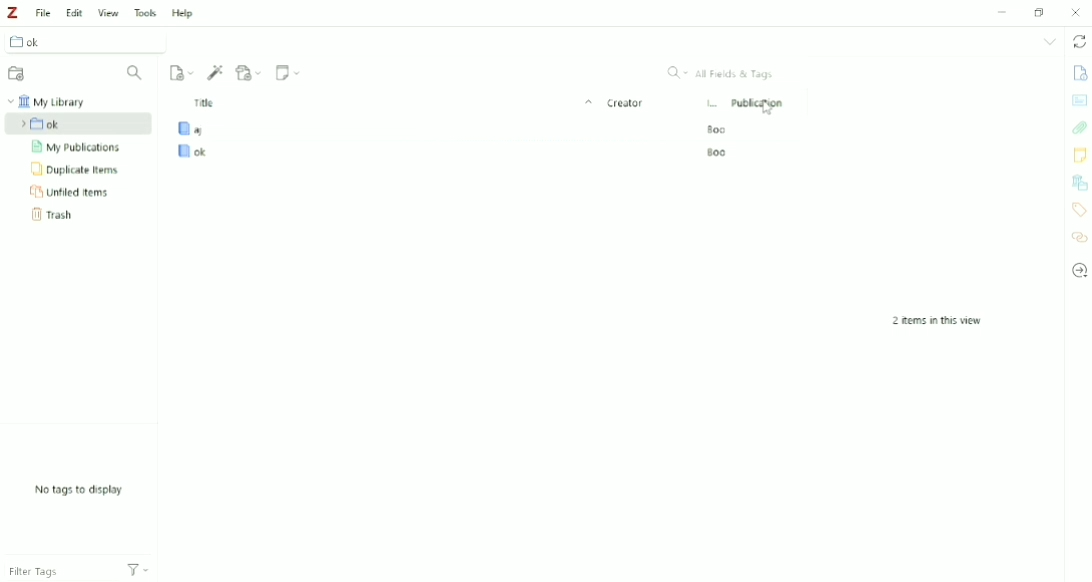 The image size is (1092, 582). What do you see at coordinates (183, 14) in the screenshot?
I see `Help` at bounding box center [183, 14].